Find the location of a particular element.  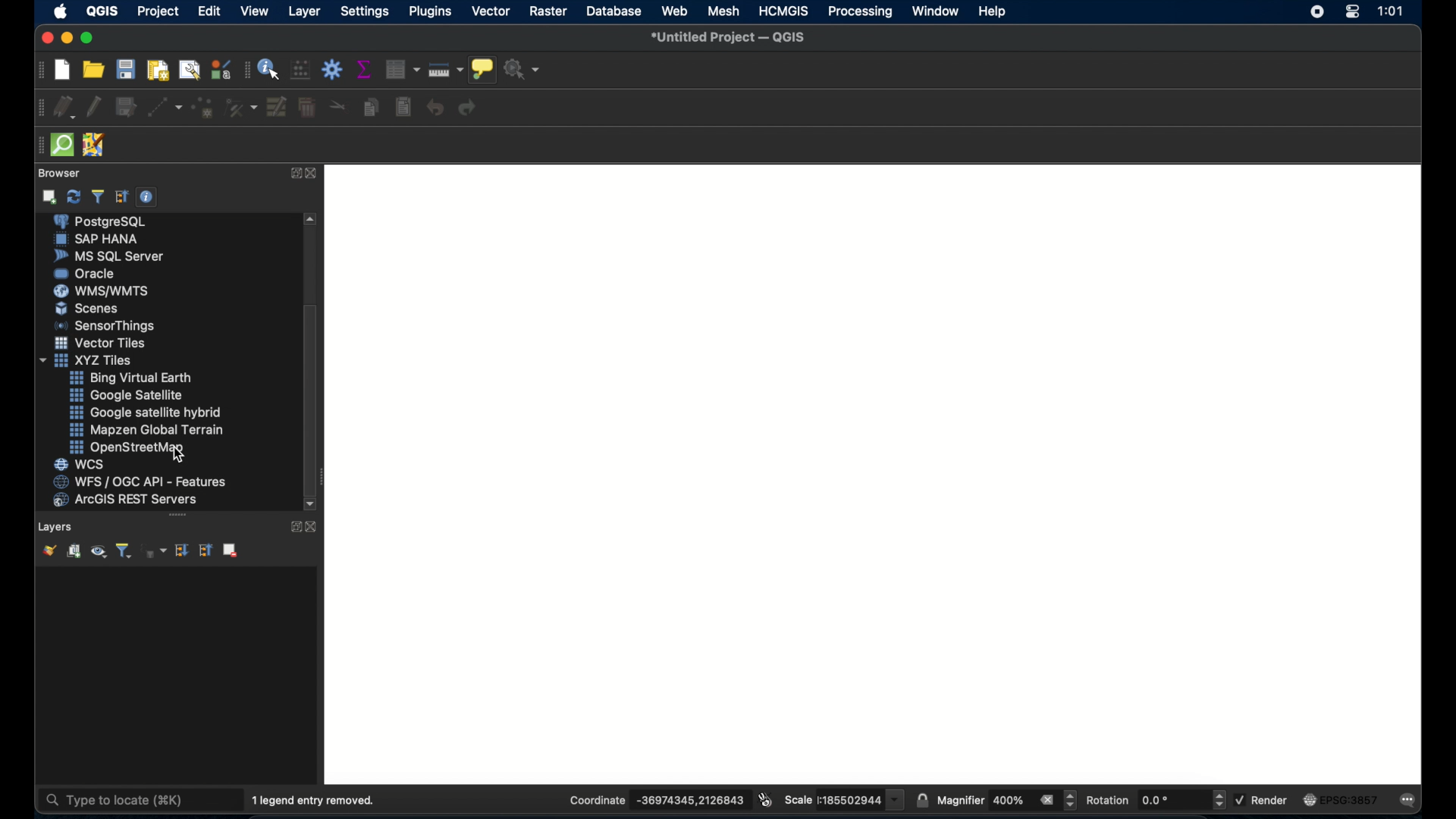

Cursor is located at coordinates (179, 454).